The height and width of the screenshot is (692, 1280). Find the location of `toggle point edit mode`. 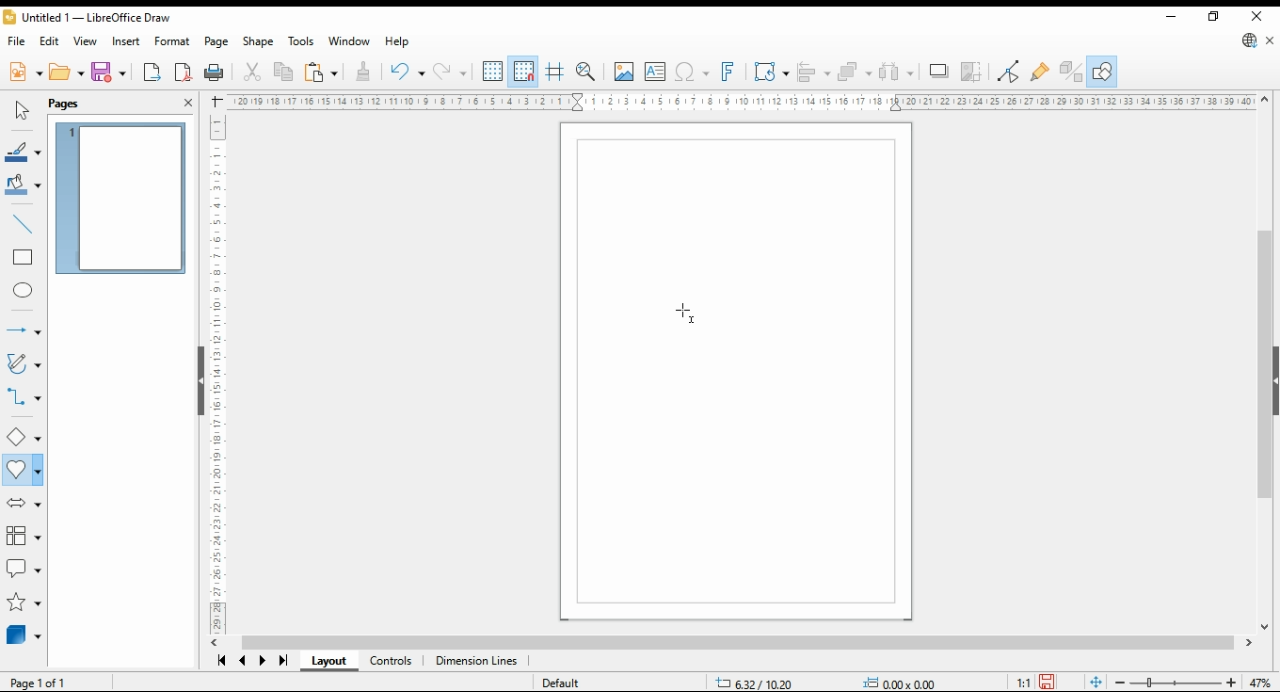

toggle point edit mode is located at coordinates (1010, 73).